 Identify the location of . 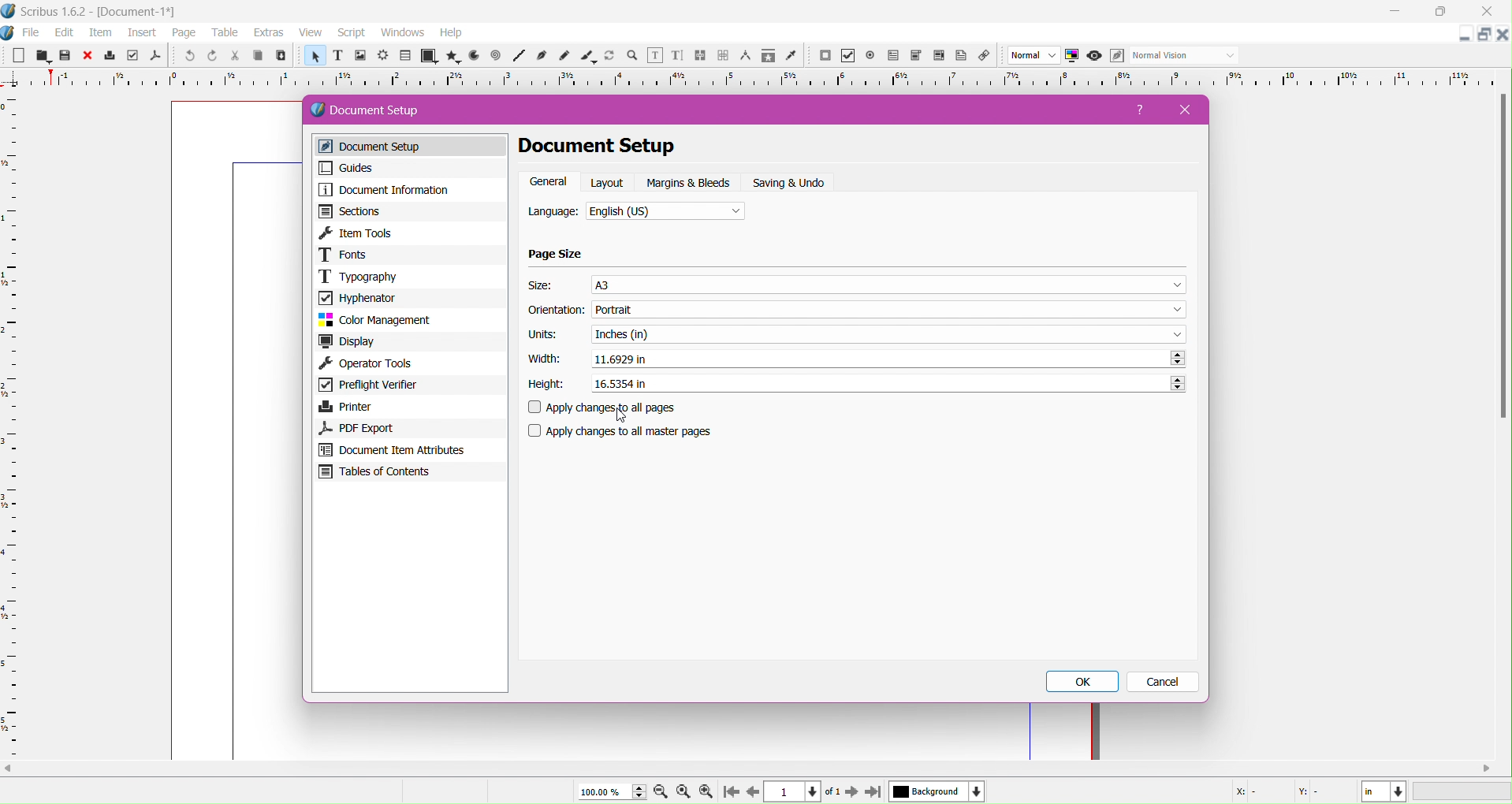
(156, 56).